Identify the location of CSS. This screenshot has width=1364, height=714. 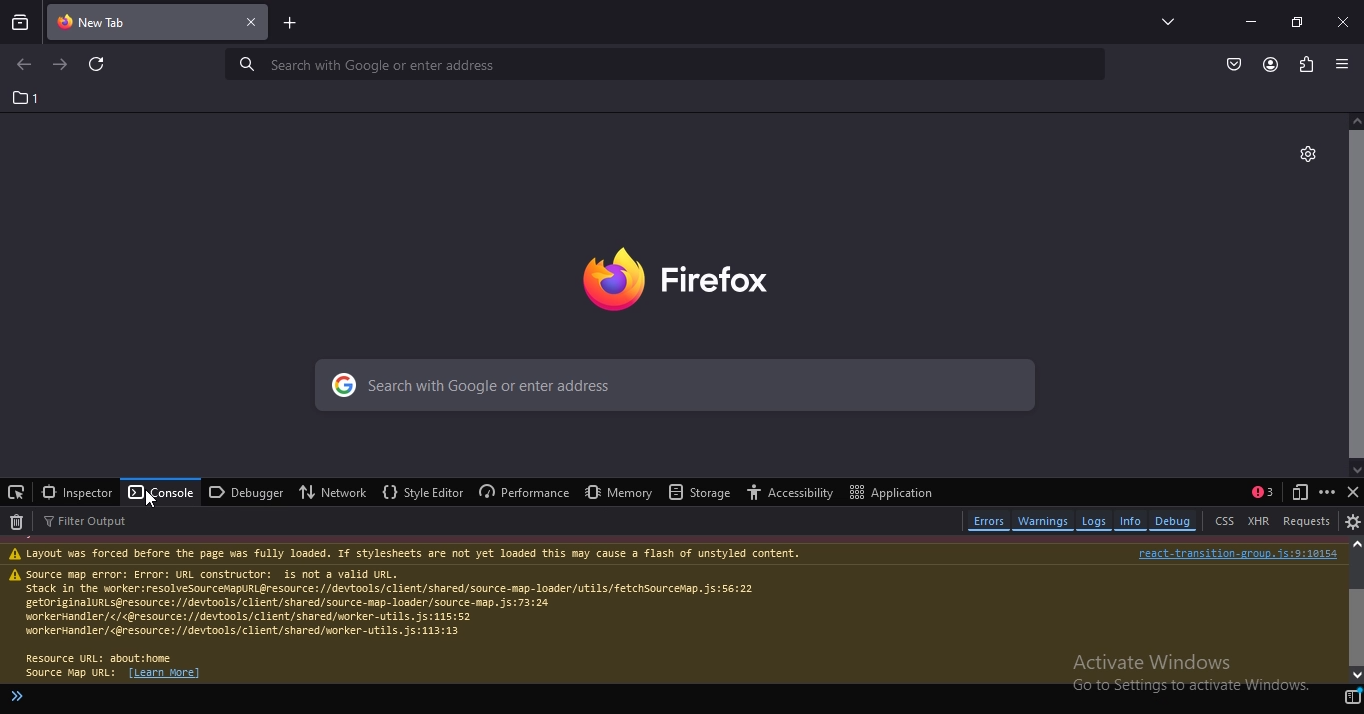
(1226, 519).